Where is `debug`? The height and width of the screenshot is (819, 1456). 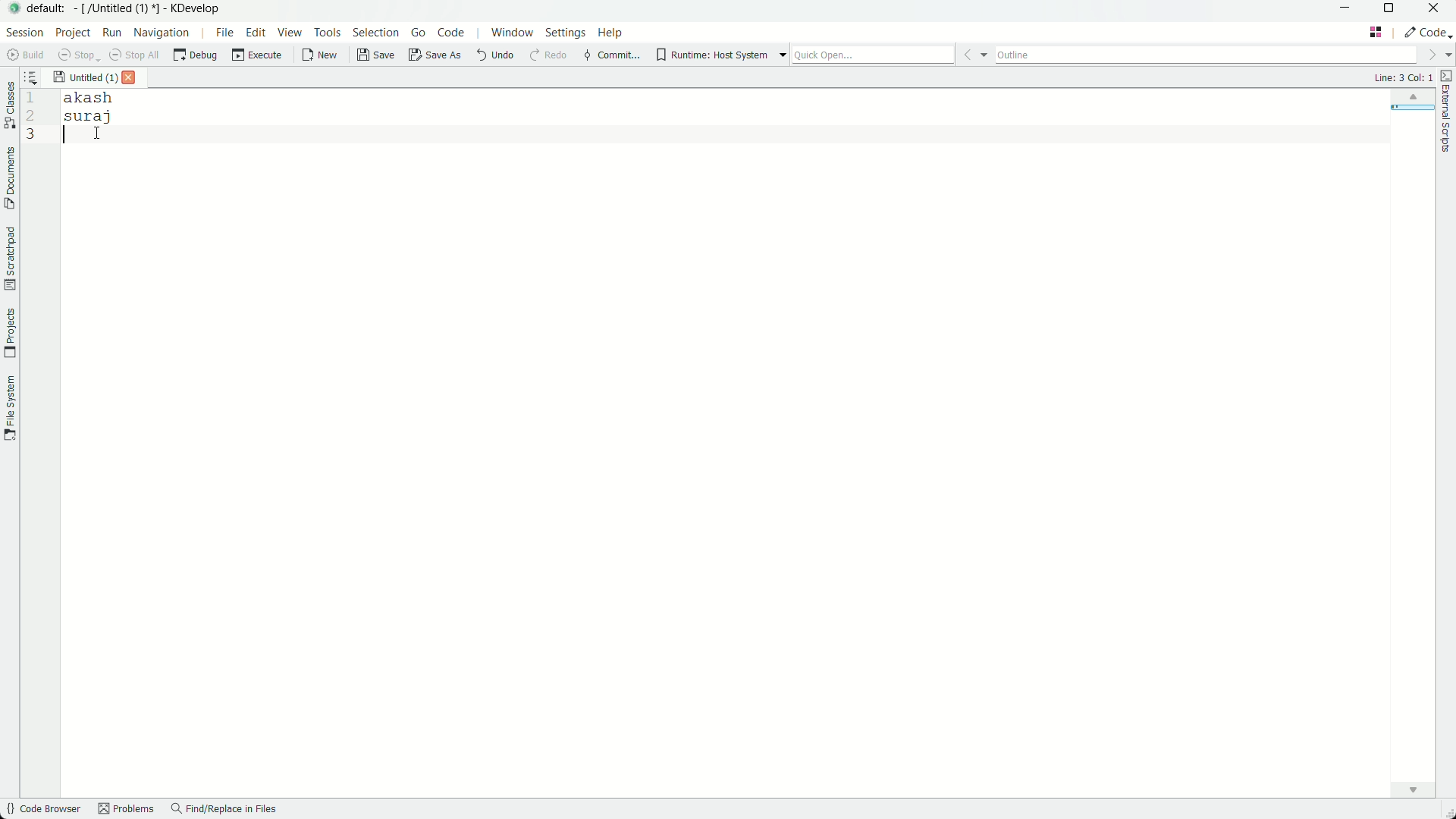
debug is located at coordinates (196, 55).